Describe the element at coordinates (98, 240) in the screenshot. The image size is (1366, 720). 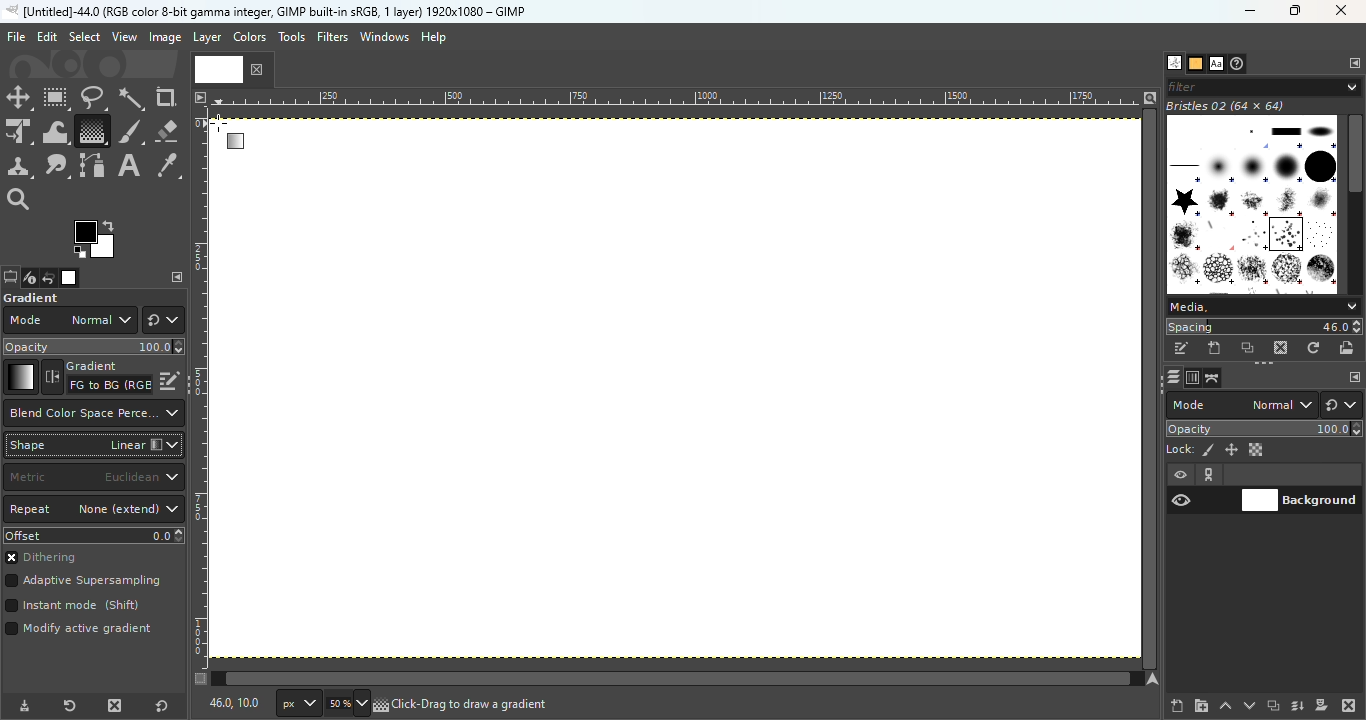
I see `The active background color` at that location.